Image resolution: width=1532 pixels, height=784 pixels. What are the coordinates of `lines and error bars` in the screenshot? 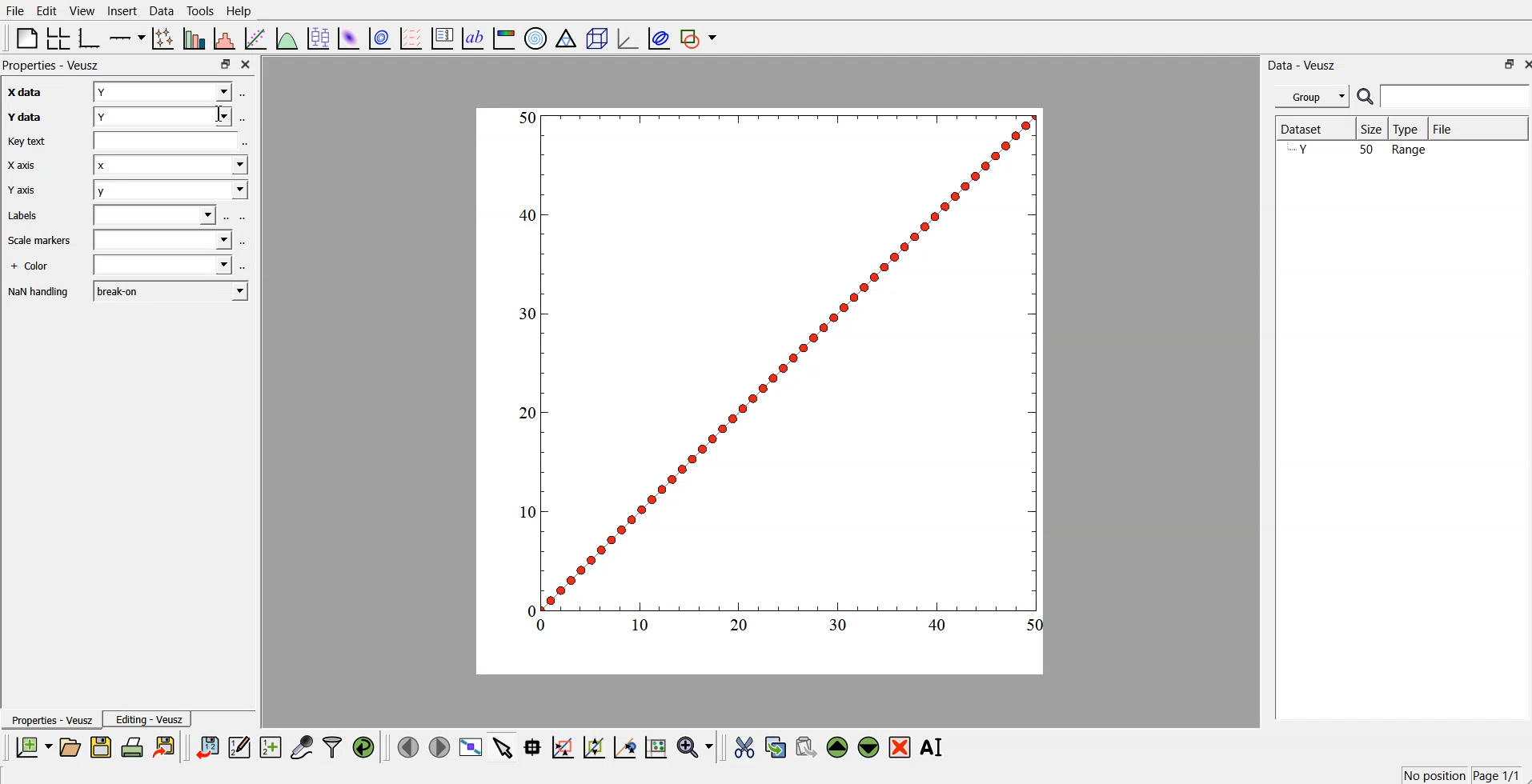 It's located at (165, 38).